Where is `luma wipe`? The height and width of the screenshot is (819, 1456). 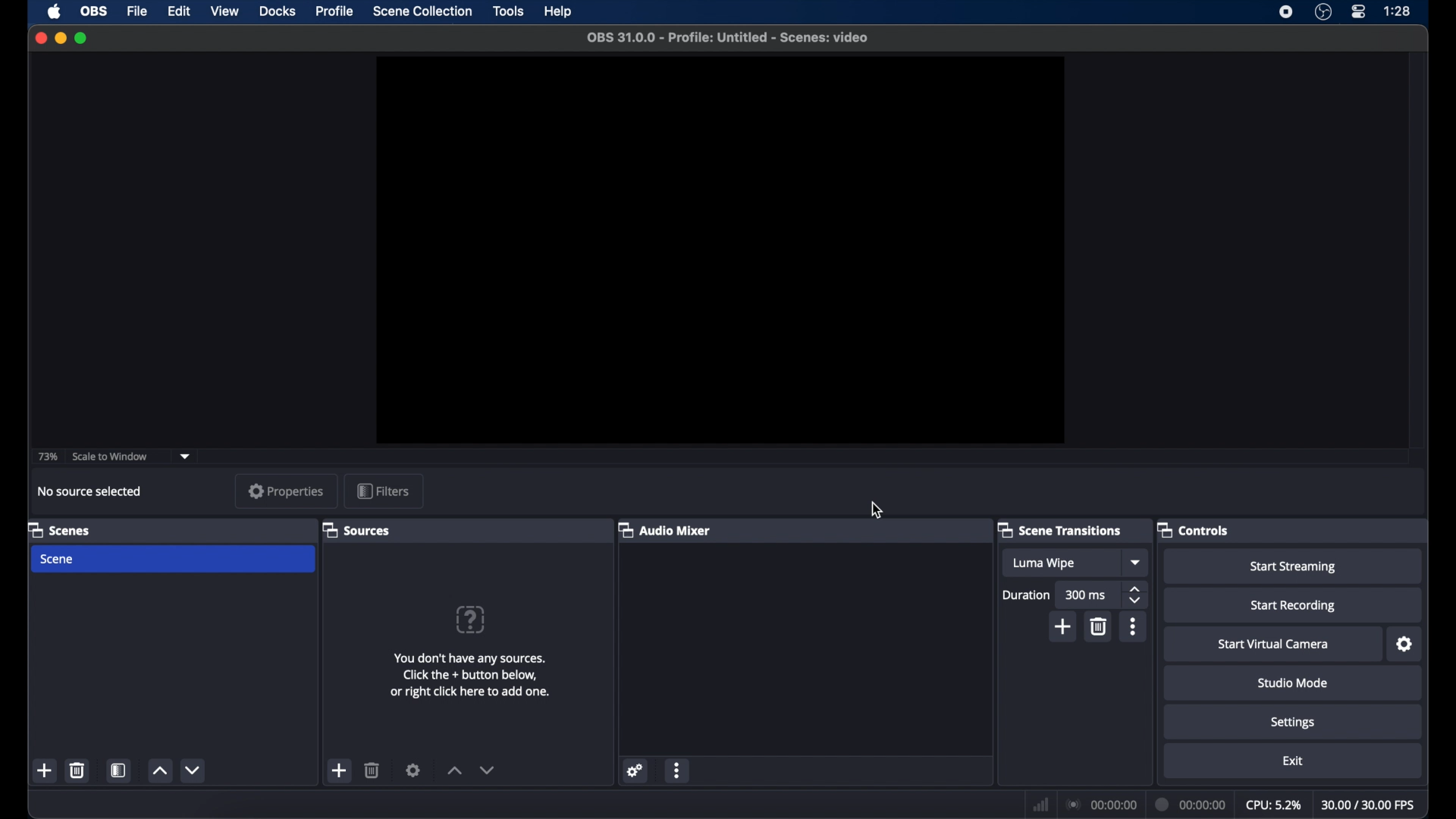 luma wipe is located at coordinates (1062, 563).